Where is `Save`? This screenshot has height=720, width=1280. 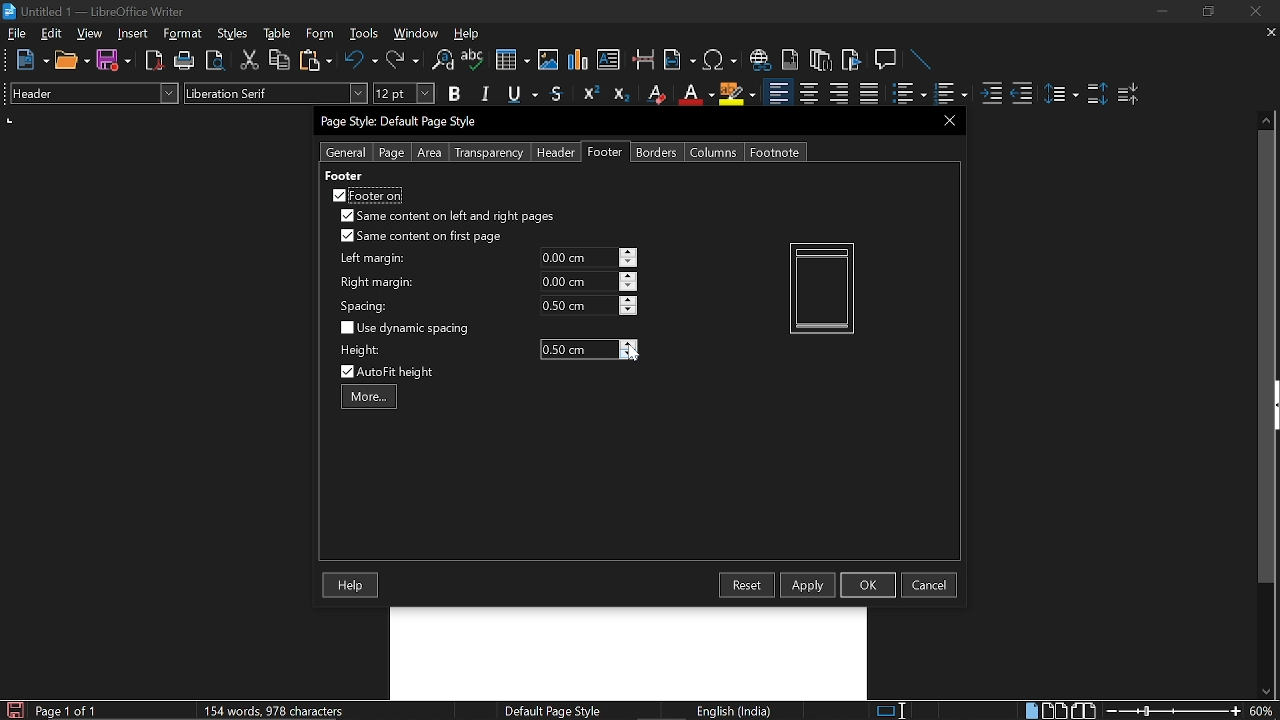 Save is located at coordinates (114, 61).